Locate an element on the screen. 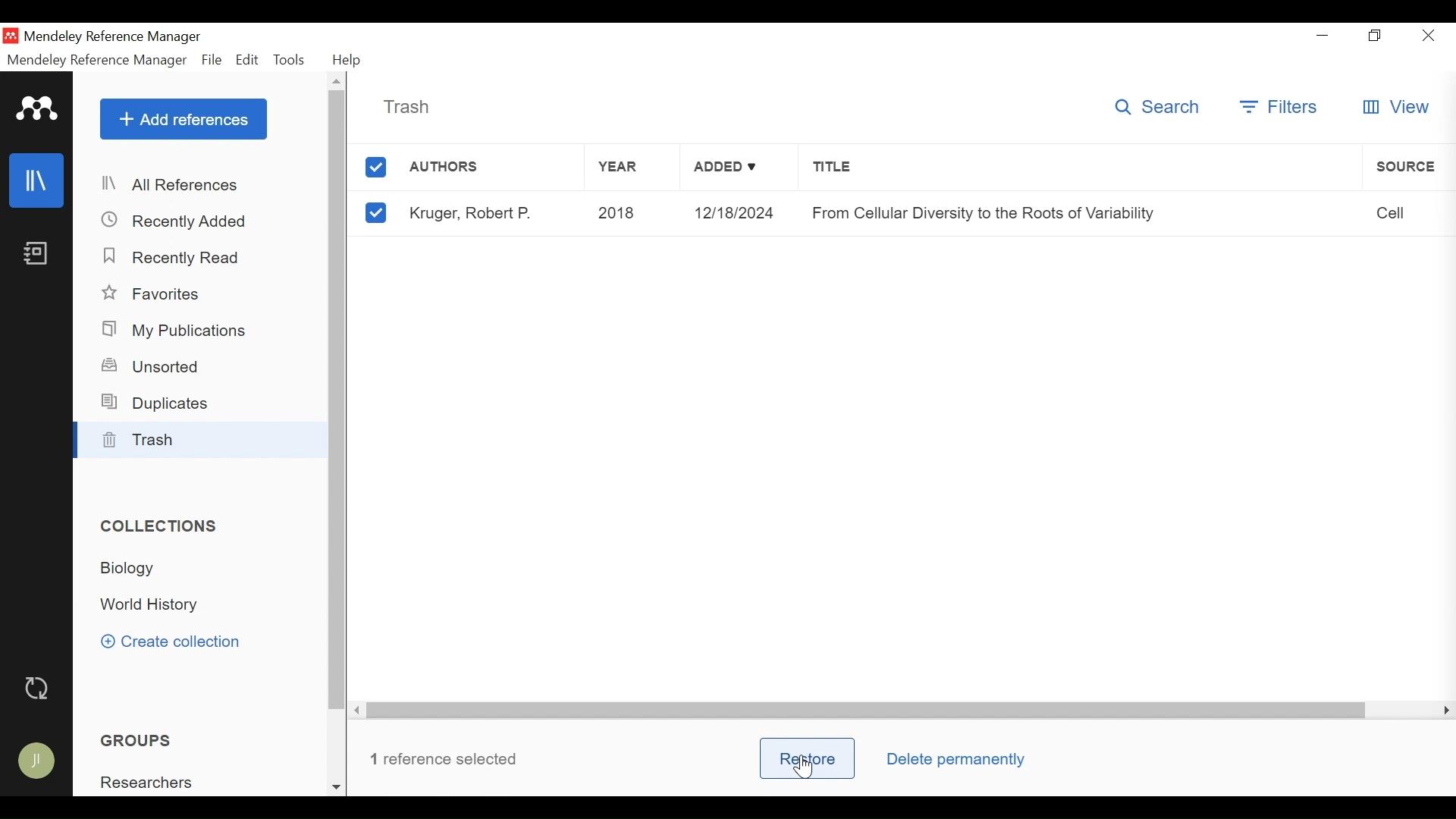  Recently Added is located at coordinates (180, 221).